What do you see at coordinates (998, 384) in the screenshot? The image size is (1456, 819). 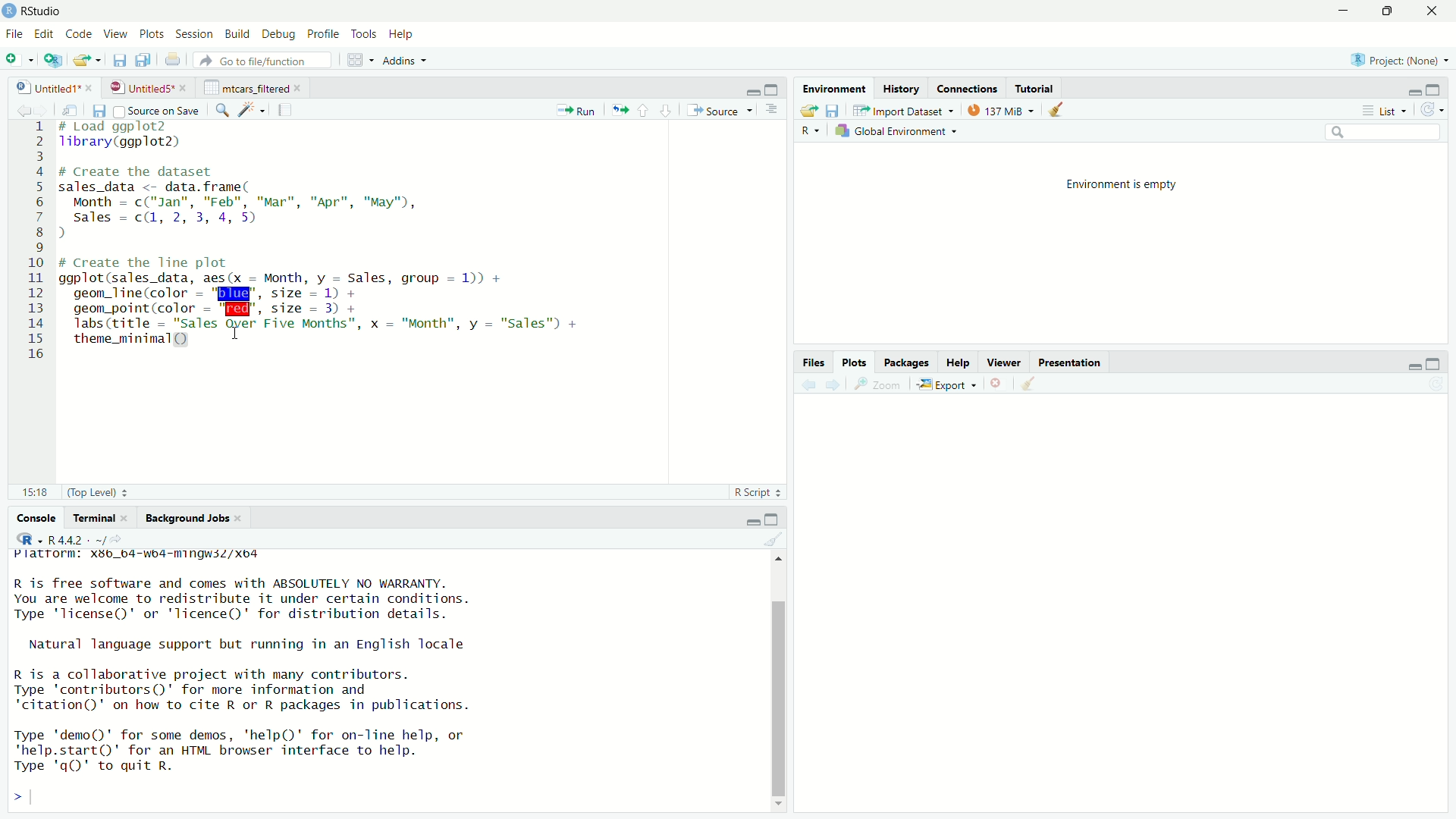 I see `clear current plot` at bounding box center [998, 384].